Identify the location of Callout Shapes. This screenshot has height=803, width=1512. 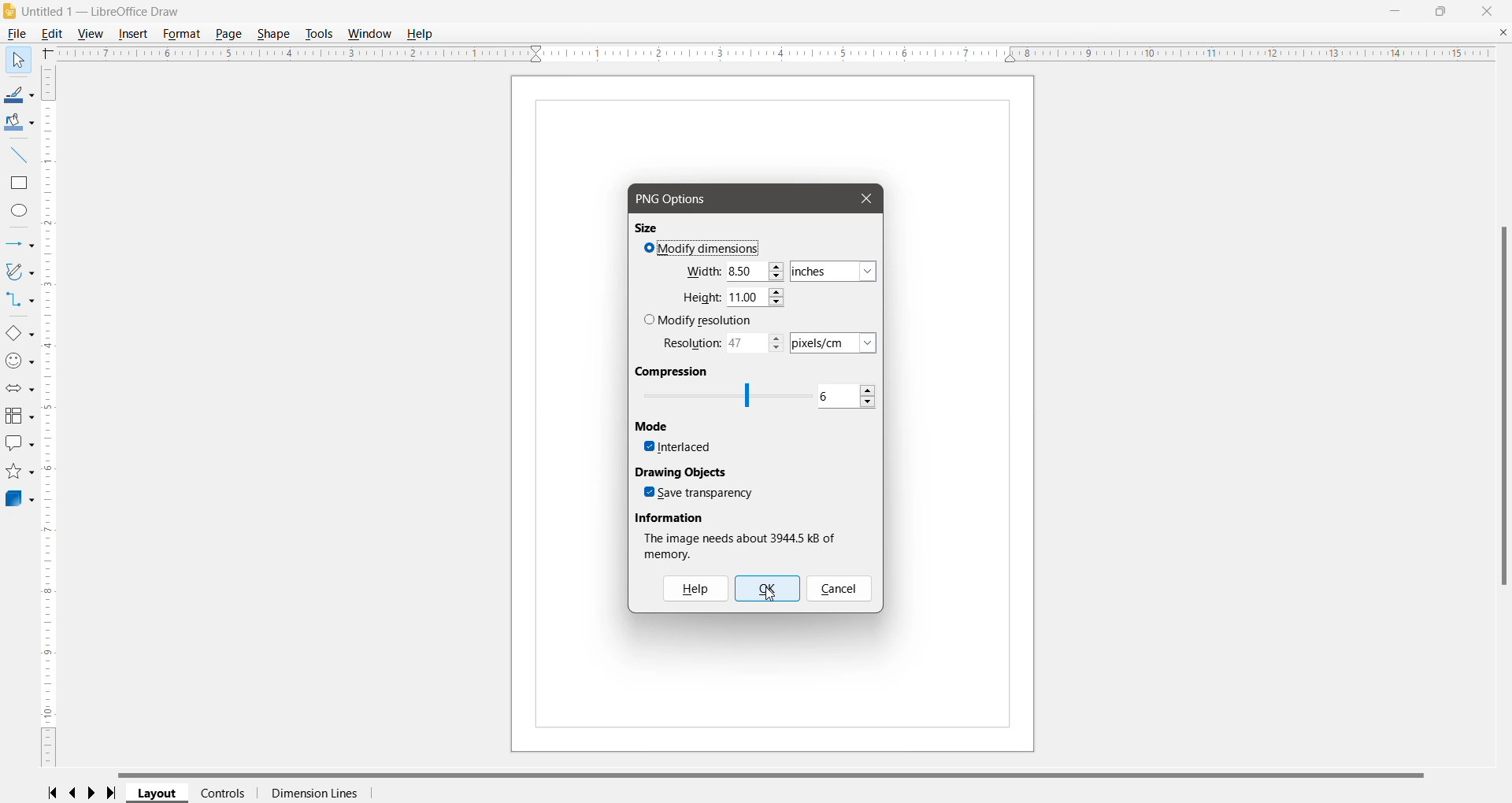
(19, 445).